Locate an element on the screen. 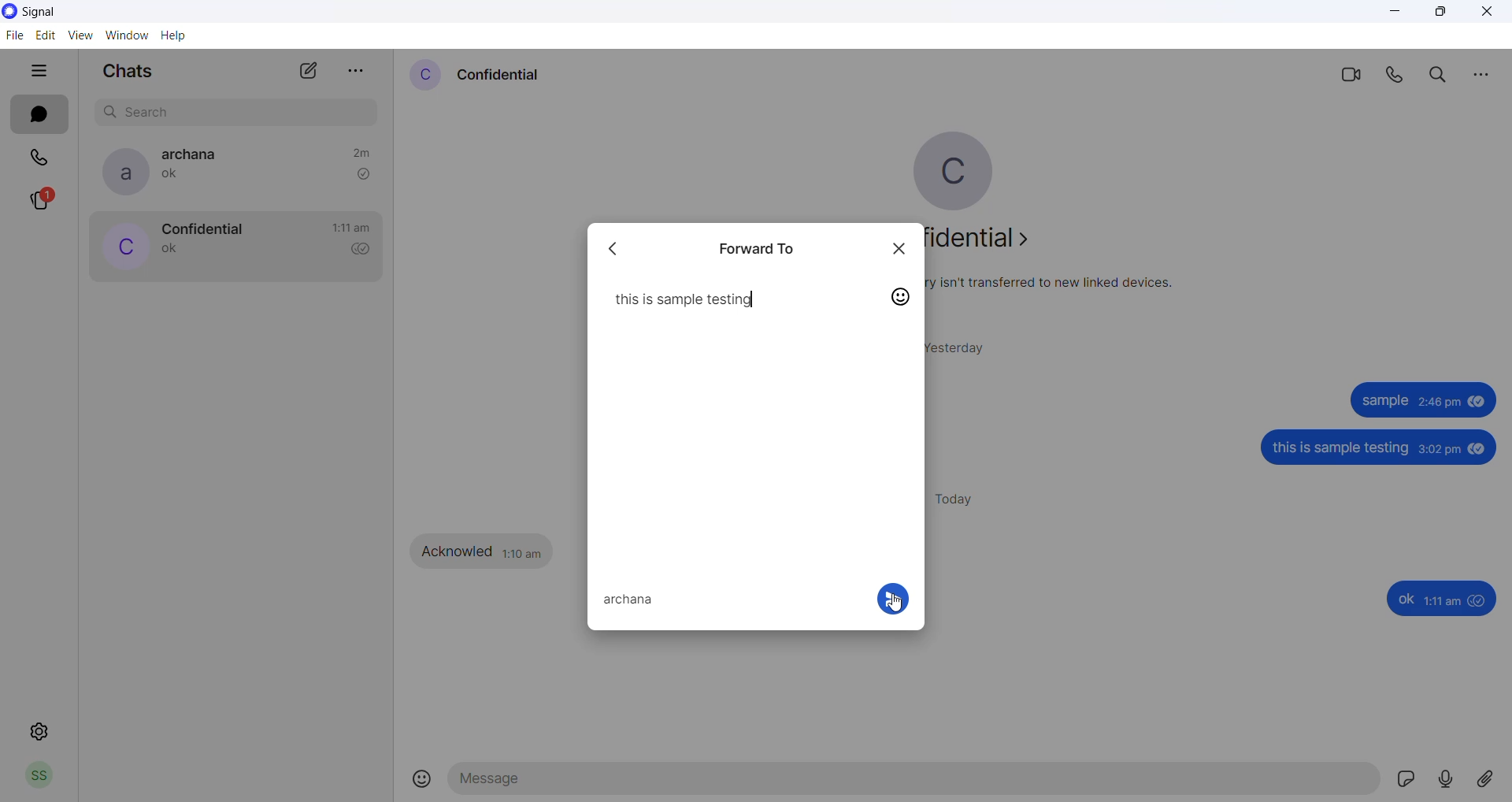 Image resolution: width=1512 pixels, height=802 pixels. voice call is located at coordinates (1398, 75).